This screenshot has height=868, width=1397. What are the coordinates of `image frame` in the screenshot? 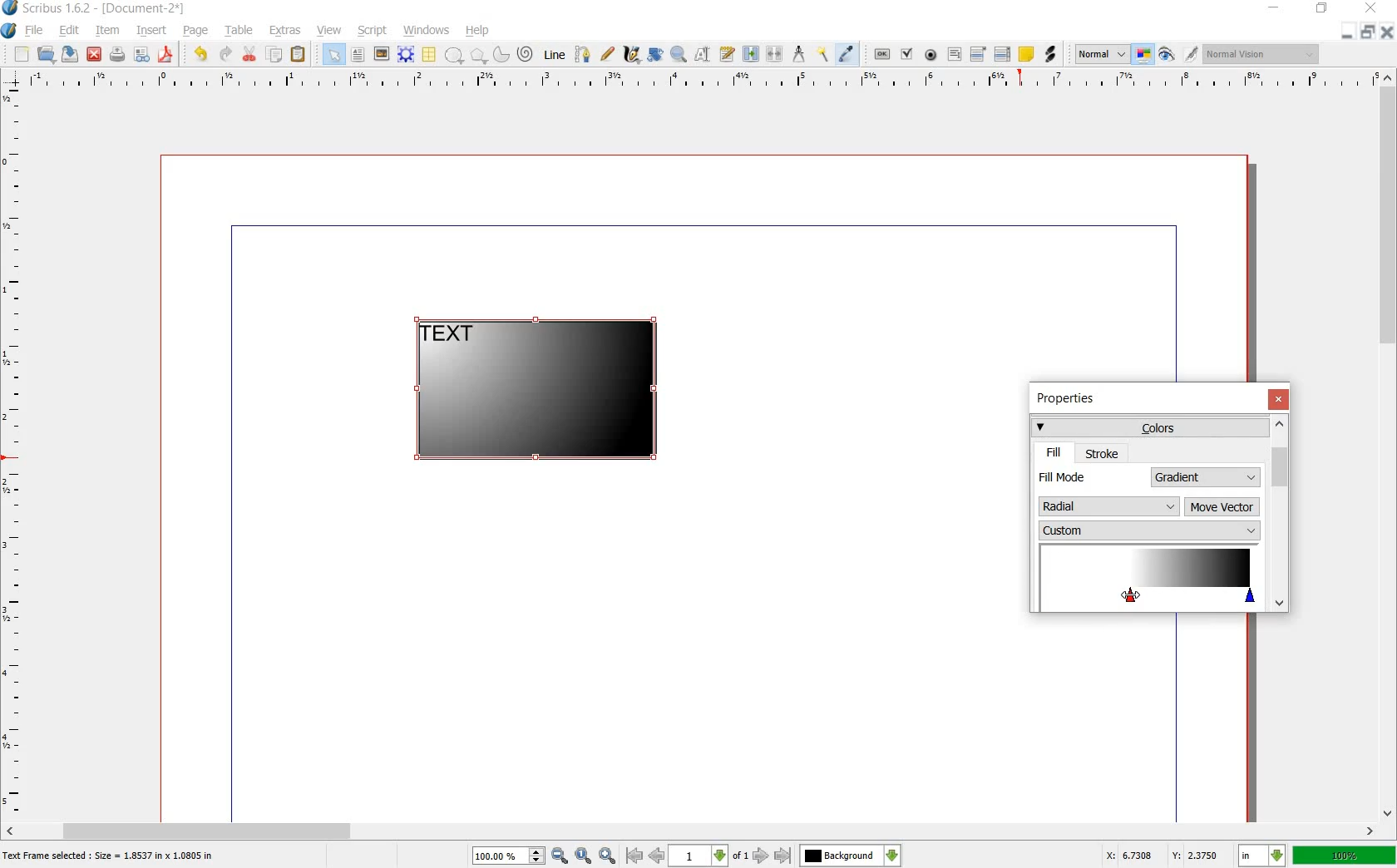 It's located at (380, 54).